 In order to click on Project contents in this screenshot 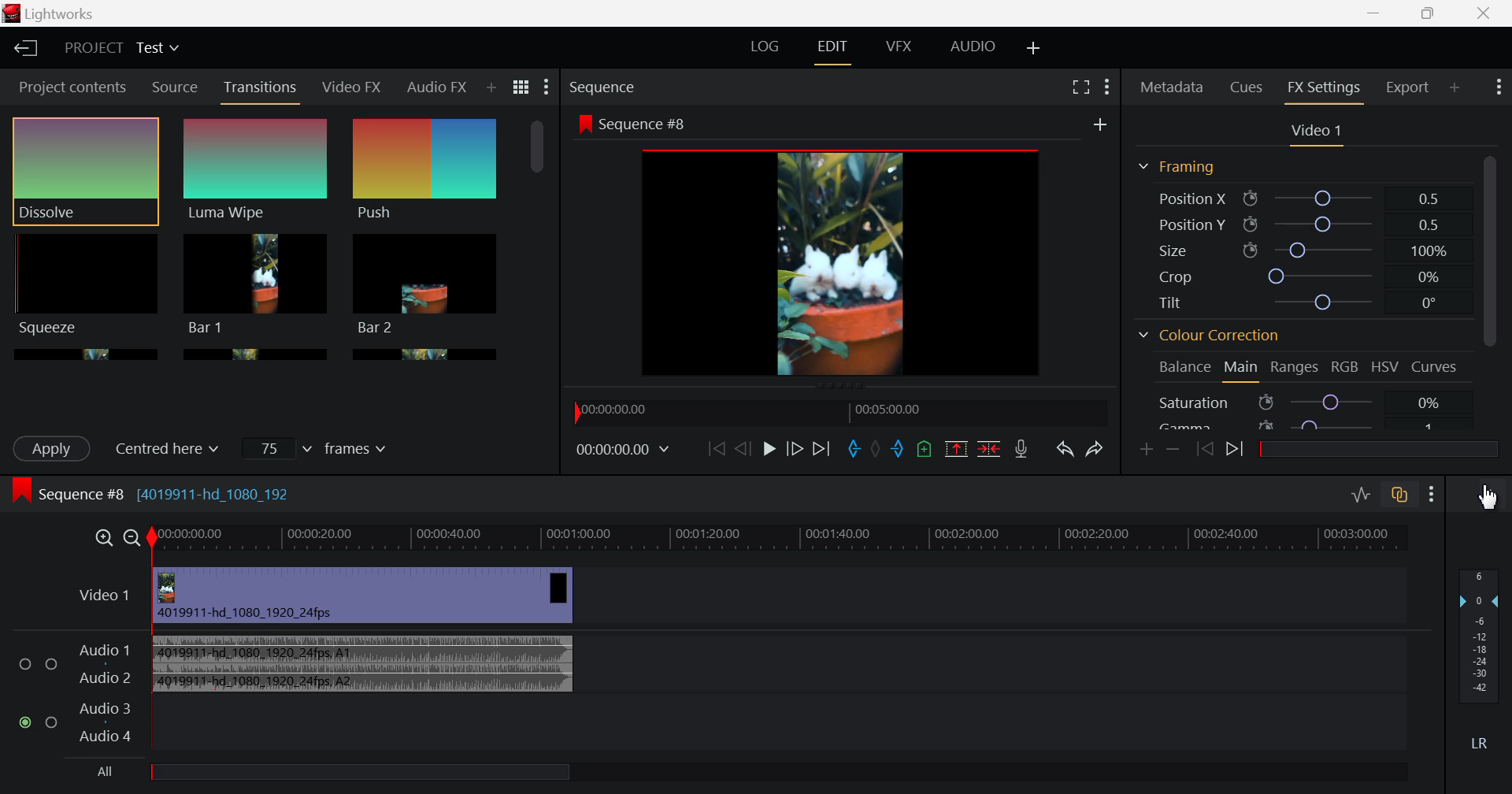, I will do `click(66, 86)`.